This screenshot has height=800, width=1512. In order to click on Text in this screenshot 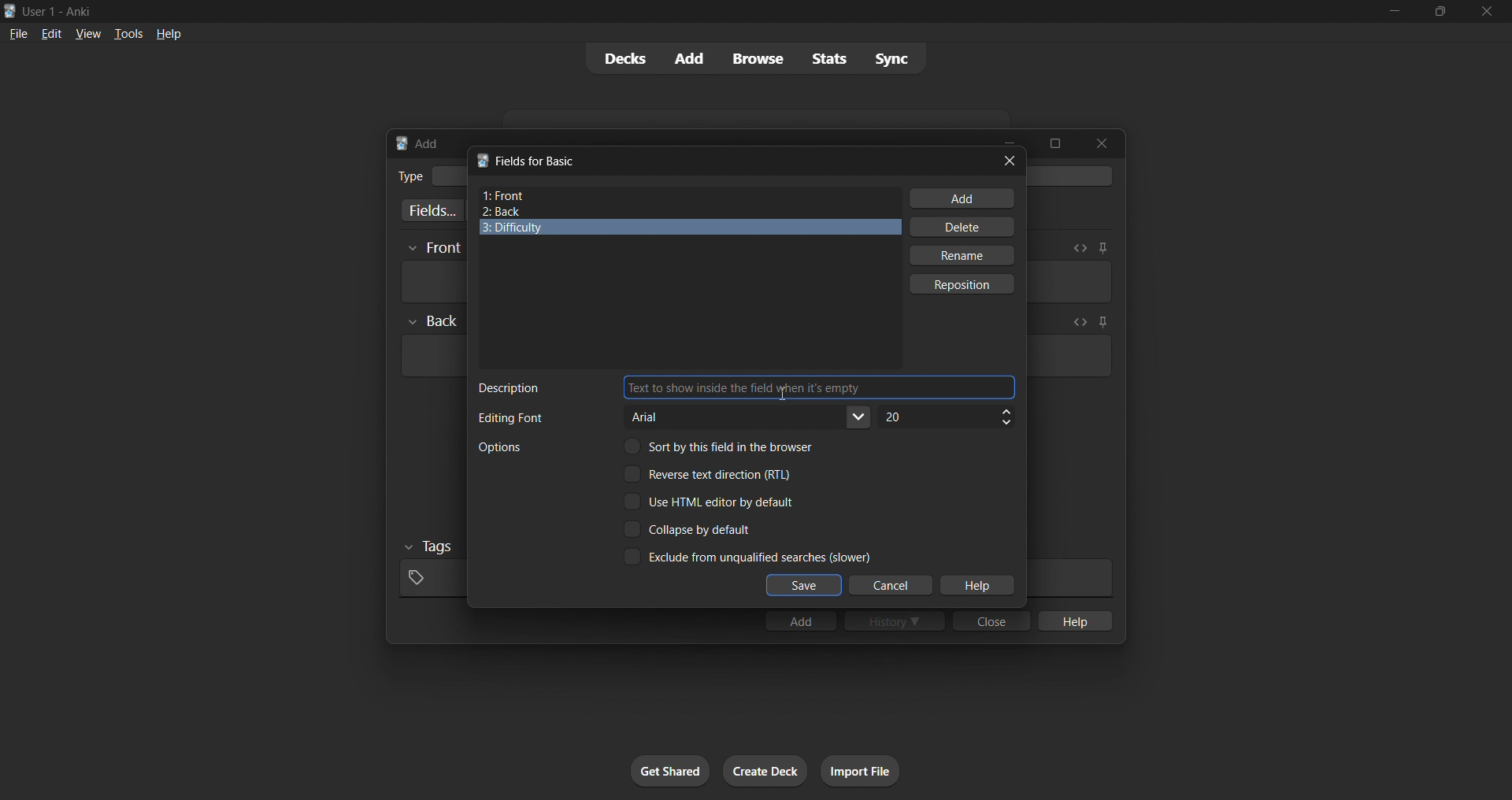, I will do `click(60, 13)`.